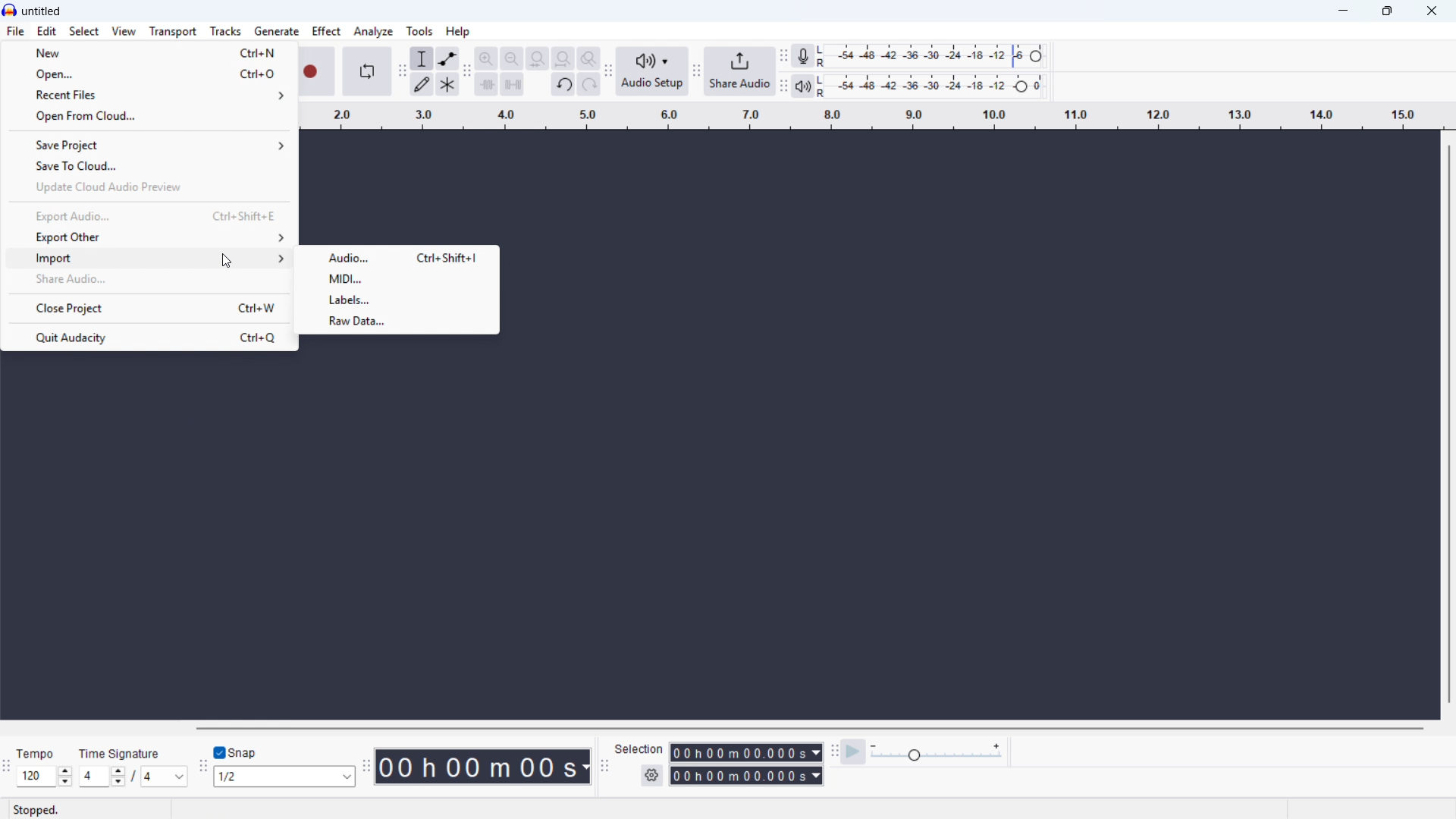  Describe the element at coordinates (148, 118) in the screenshot. I see `Open from cloud ` at that location.